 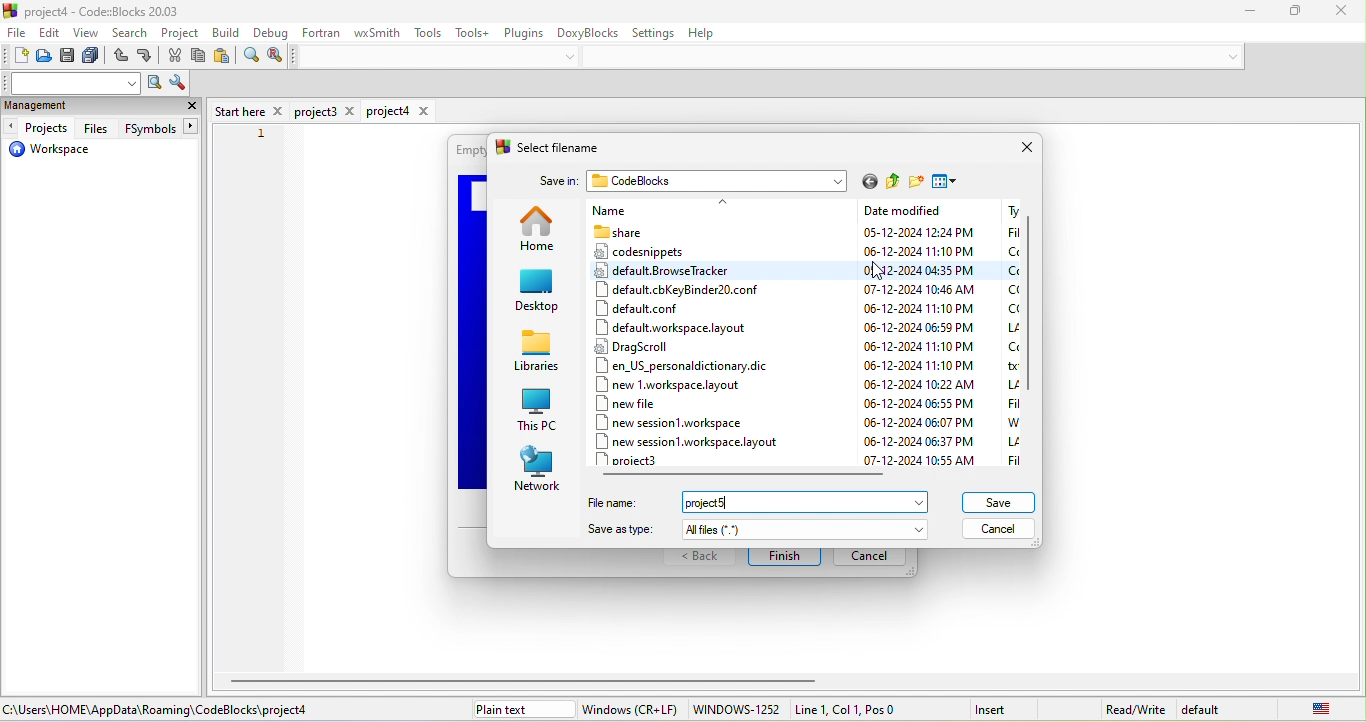 What do you see at coordinates (61, 107) in the screenshot?
I see `management` at bounding box center [61, 107].